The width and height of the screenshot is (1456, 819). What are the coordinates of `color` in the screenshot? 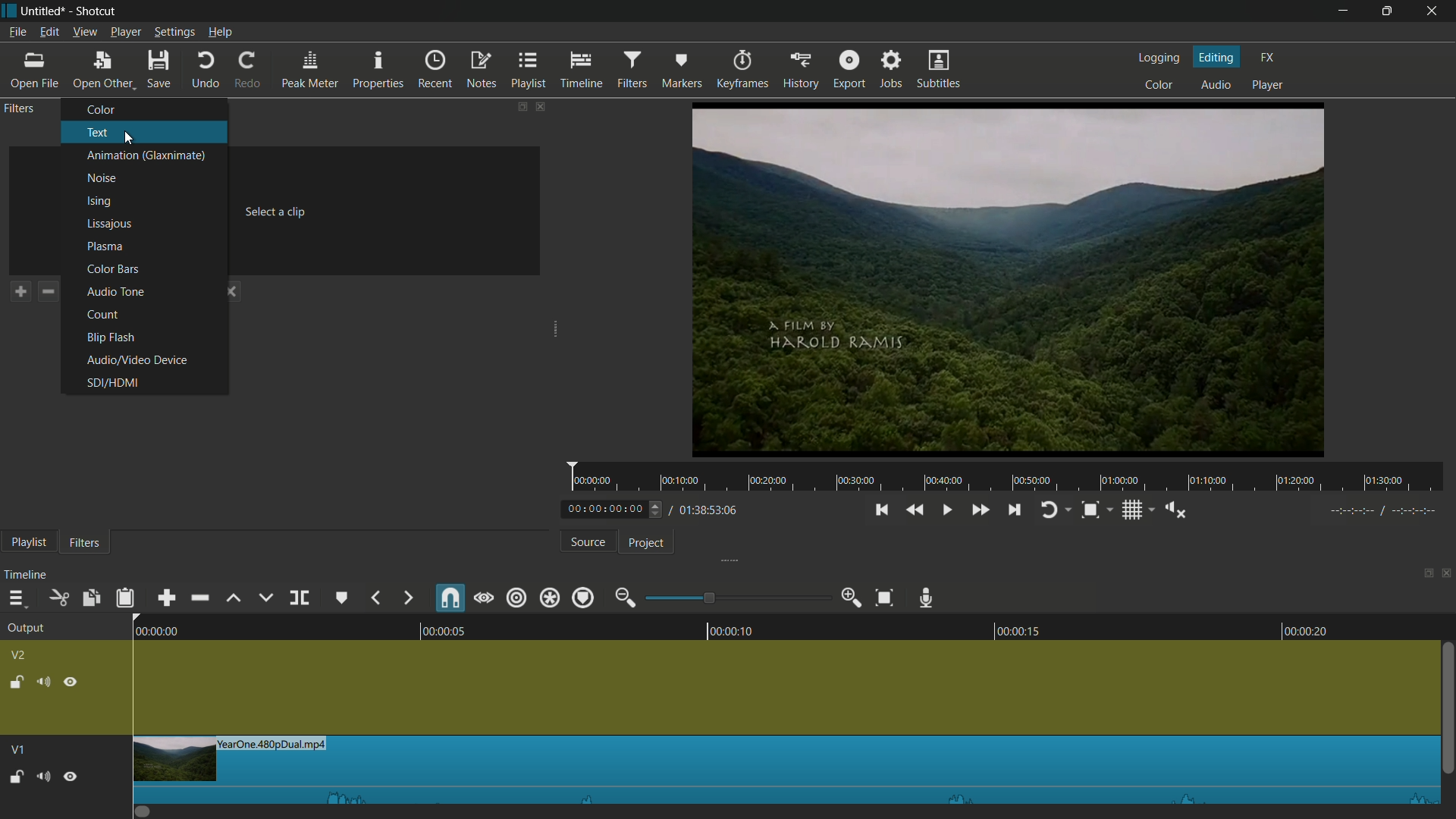 It's located at (102, 109).